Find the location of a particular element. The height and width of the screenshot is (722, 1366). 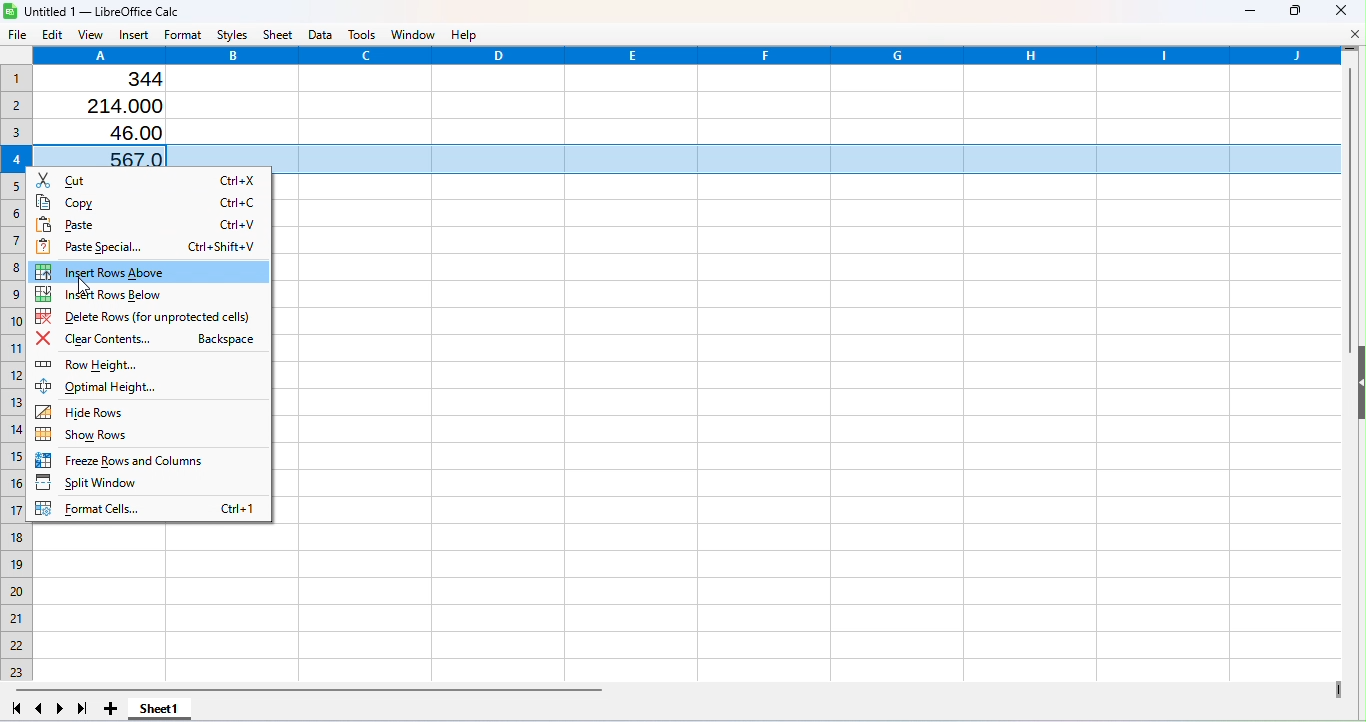

214.000 is located at coordinates (119, 105).